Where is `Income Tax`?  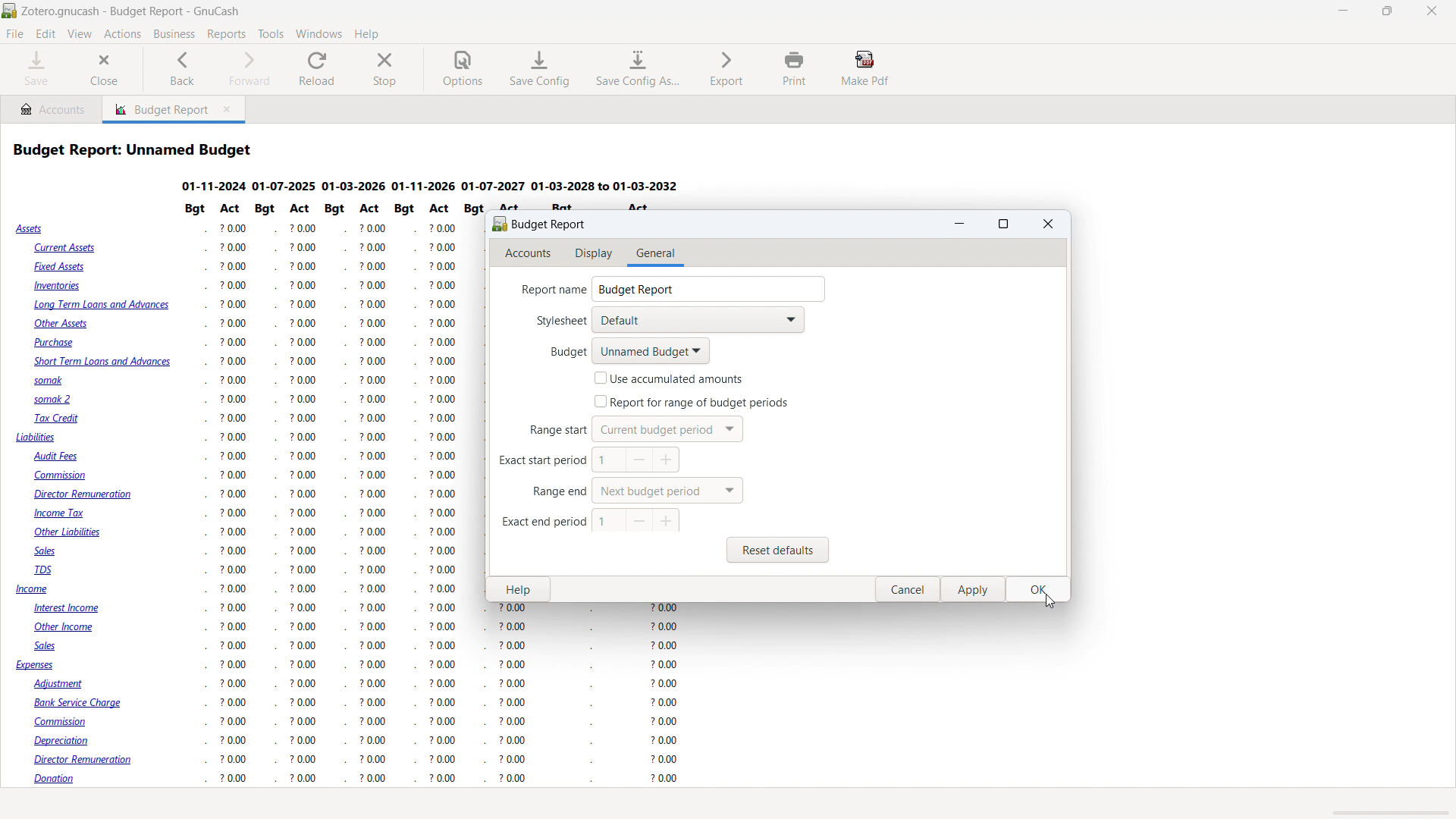 Income Tax is located at coordinates (61, 513).